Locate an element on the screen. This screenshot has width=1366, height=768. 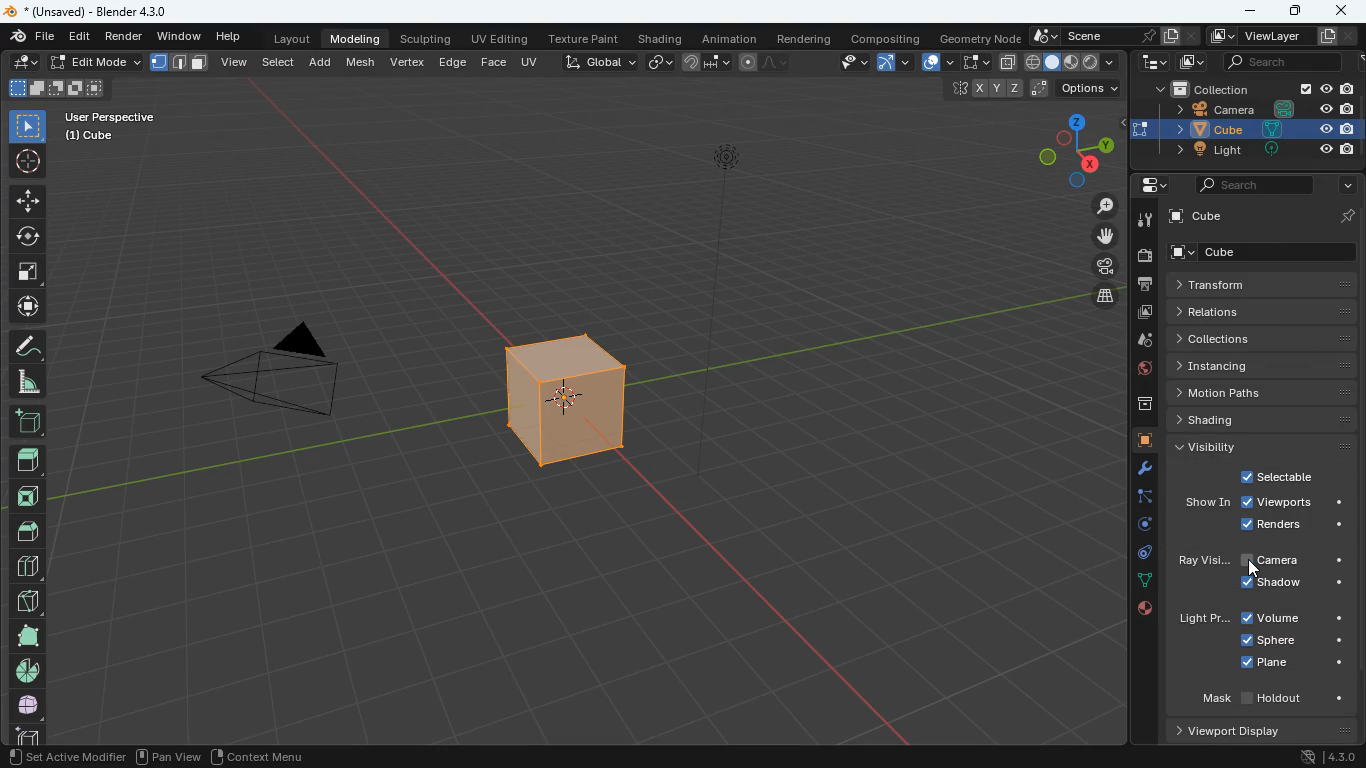
dd is located at coordinates (28, 425).